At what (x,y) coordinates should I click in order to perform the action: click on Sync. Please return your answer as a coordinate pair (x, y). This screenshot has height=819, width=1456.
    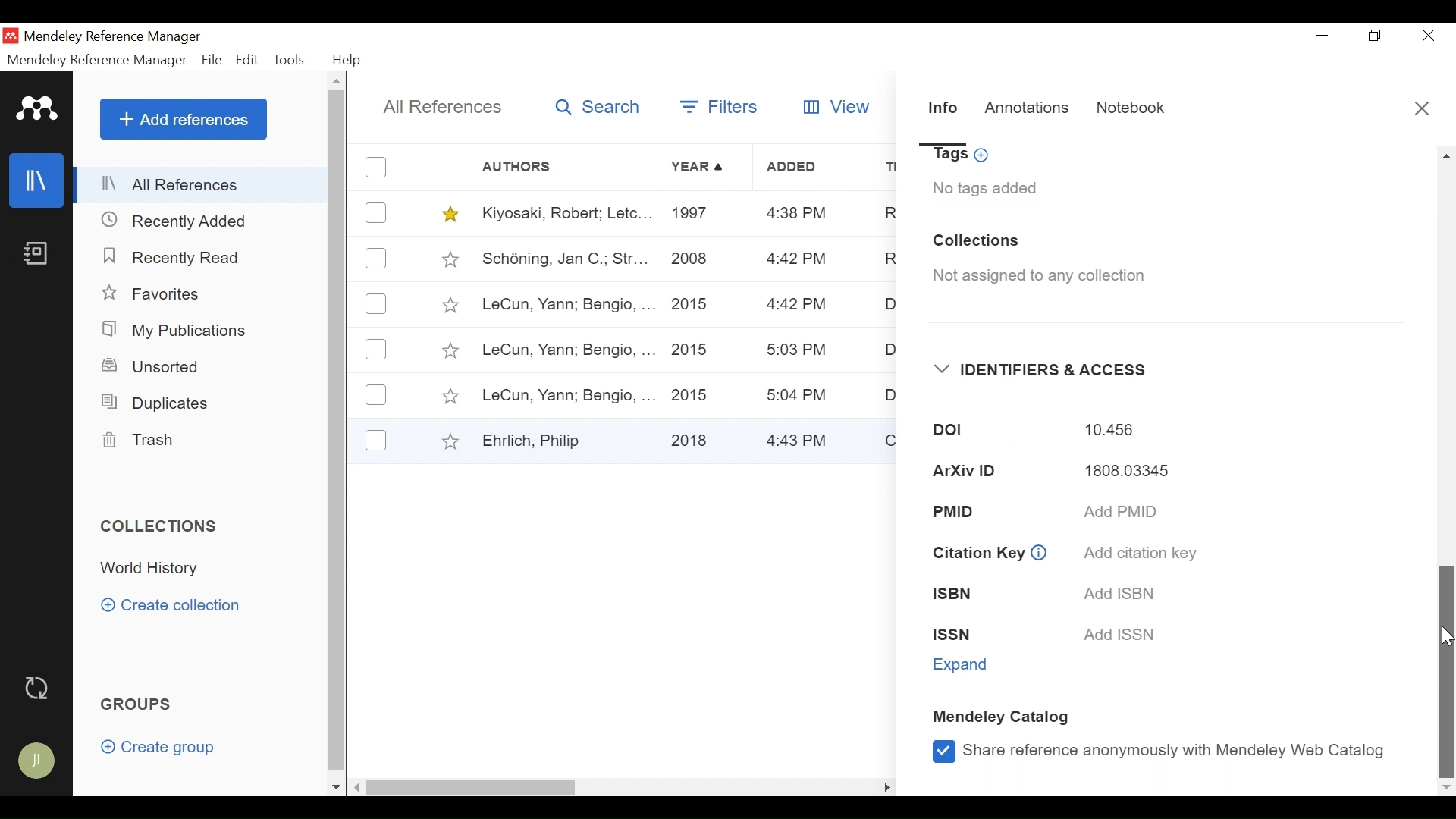
    Looking at the image, I should click on (37, 688).